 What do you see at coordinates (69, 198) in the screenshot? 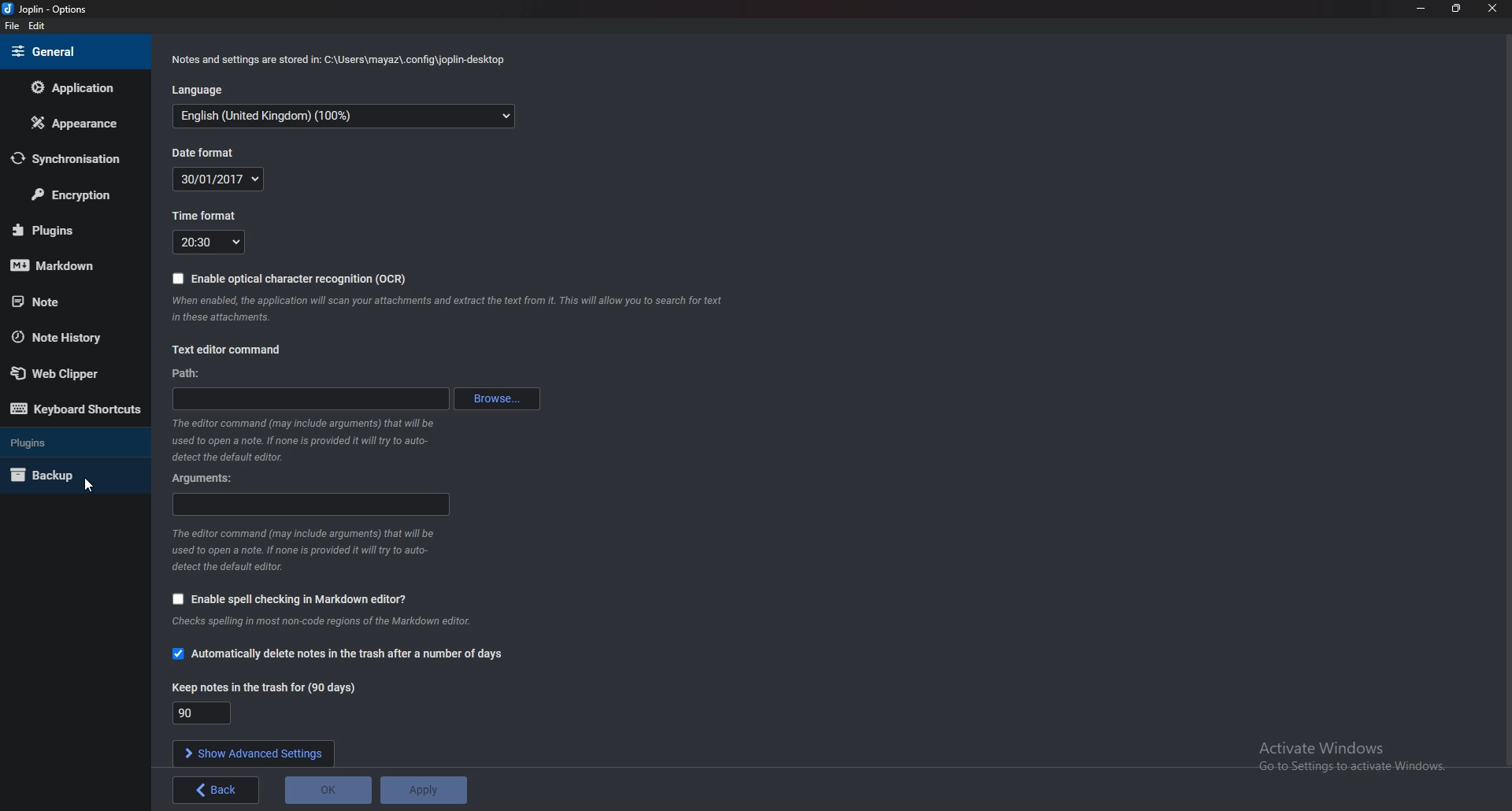
I see `Encryption` at bounding box center [69, 198].